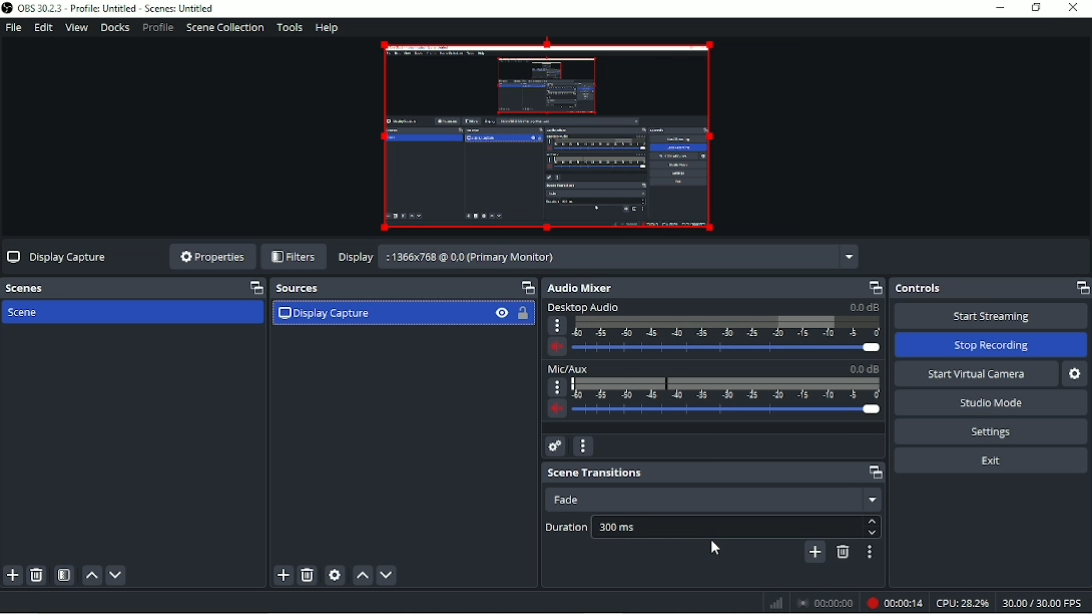 The width and height of the screenshot is (1092, 614). What do you see at coordinates (386, 575) in the screenshot?
I see `Move source (s) down` at bounding box center [386, 575].